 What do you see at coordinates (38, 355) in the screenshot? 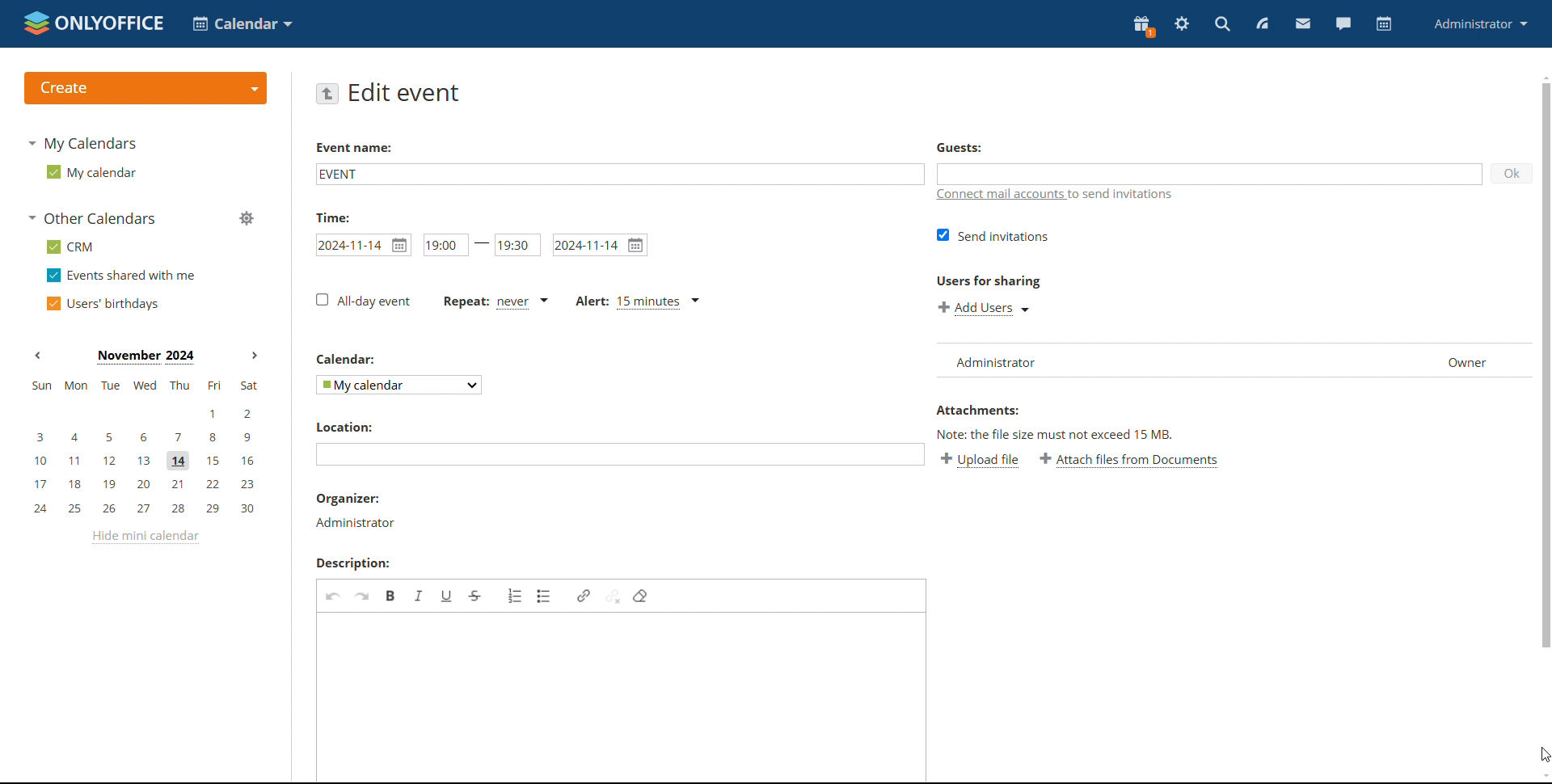
I see `previous month` at bounding box center [38, 355].